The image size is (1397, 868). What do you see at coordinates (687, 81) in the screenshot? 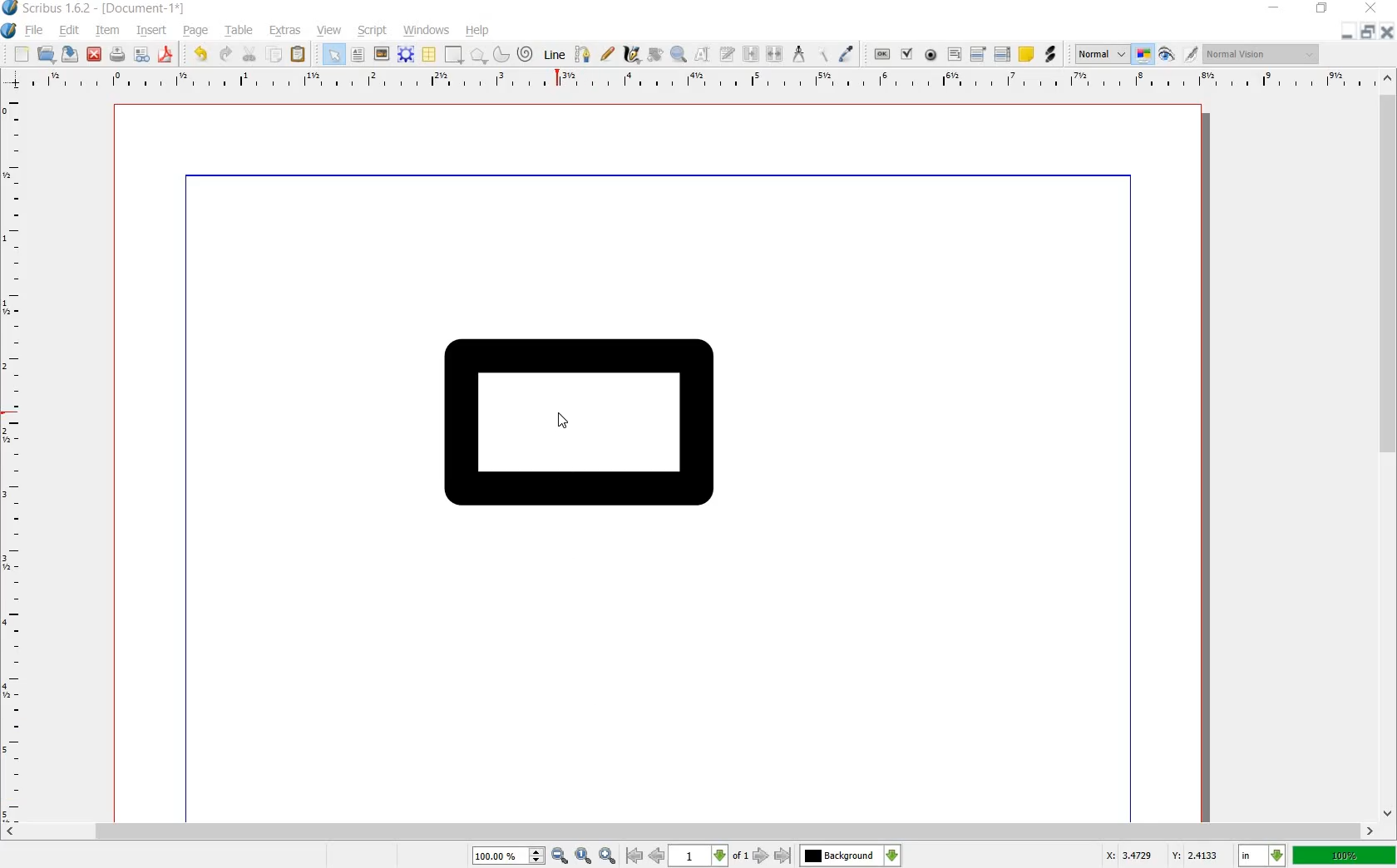
I see `ruler` at bounding box center [687, 81].